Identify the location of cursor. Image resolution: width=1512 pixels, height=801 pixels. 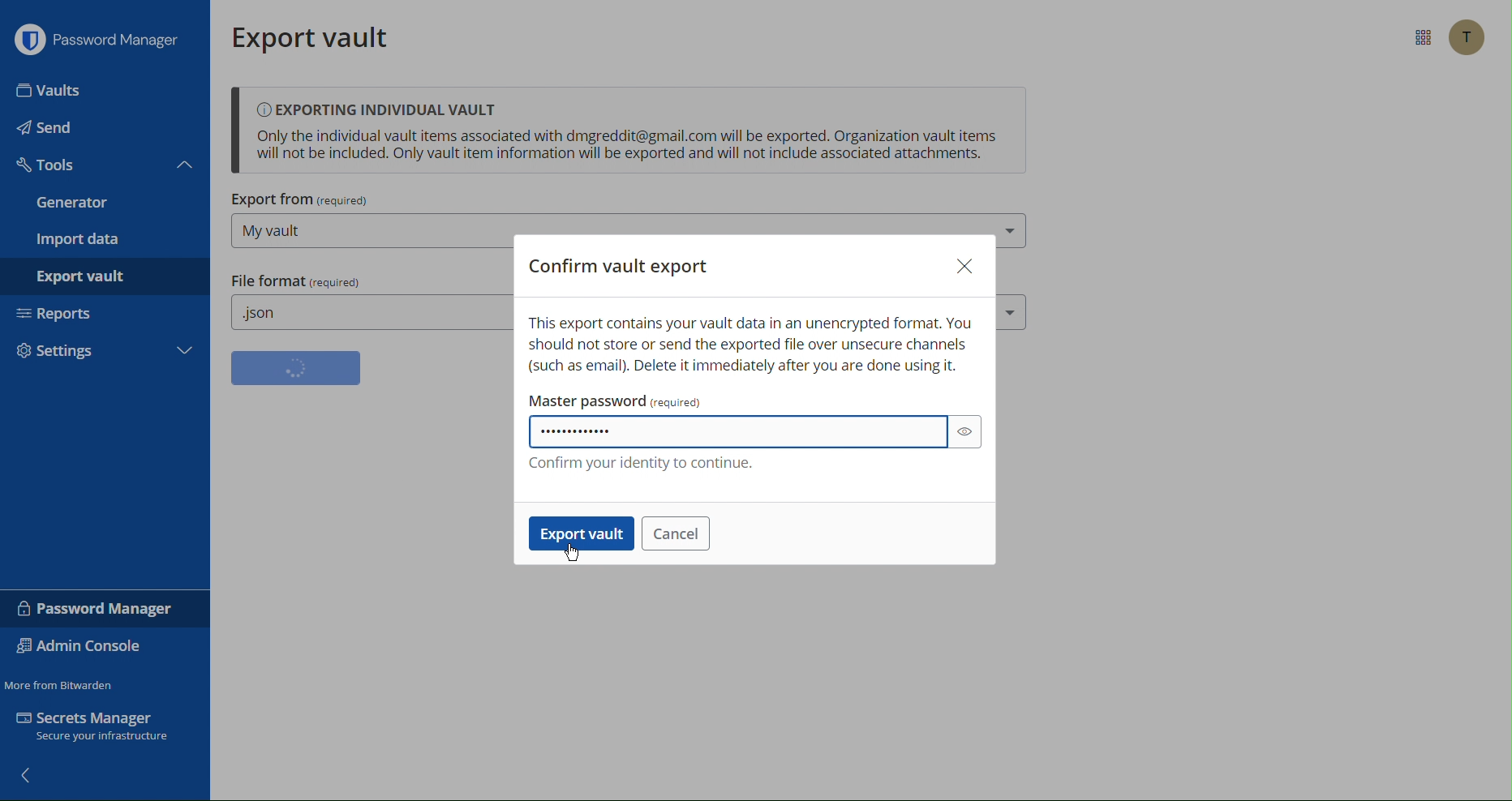
(574, 549).